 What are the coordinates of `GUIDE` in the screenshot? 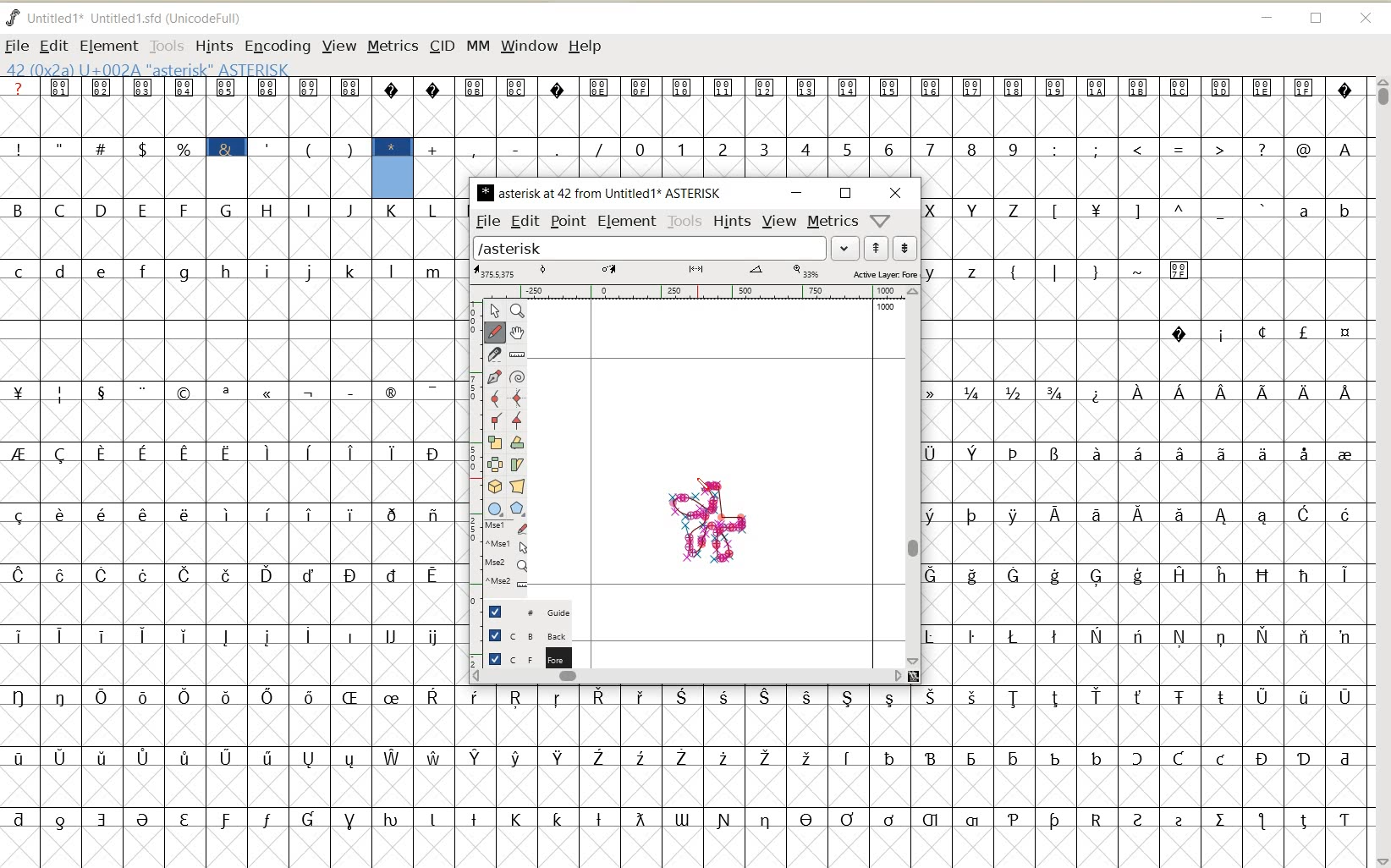 It's located at (523, 609).